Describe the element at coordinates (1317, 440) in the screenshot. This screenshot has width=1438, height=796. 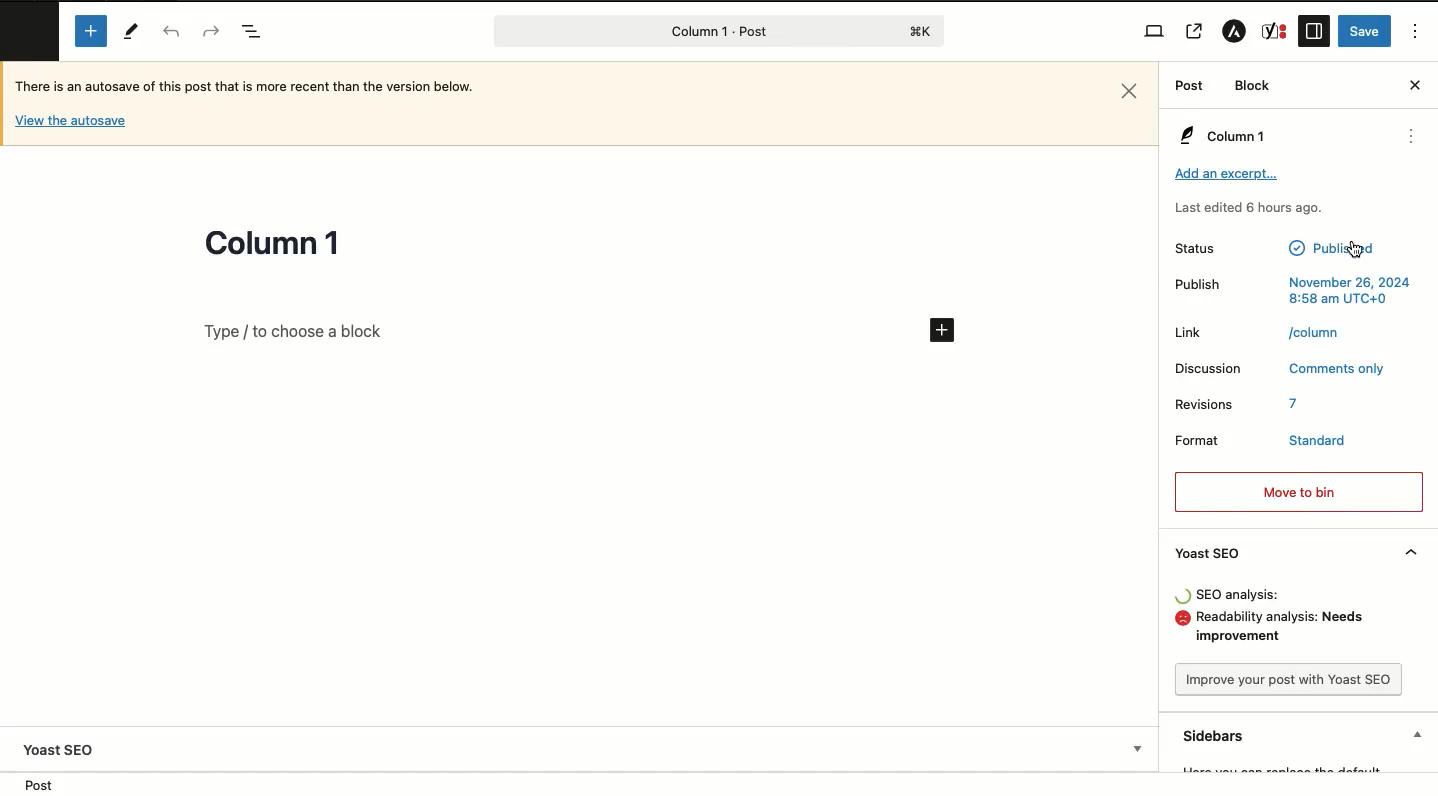
I see `Standard` at that location.